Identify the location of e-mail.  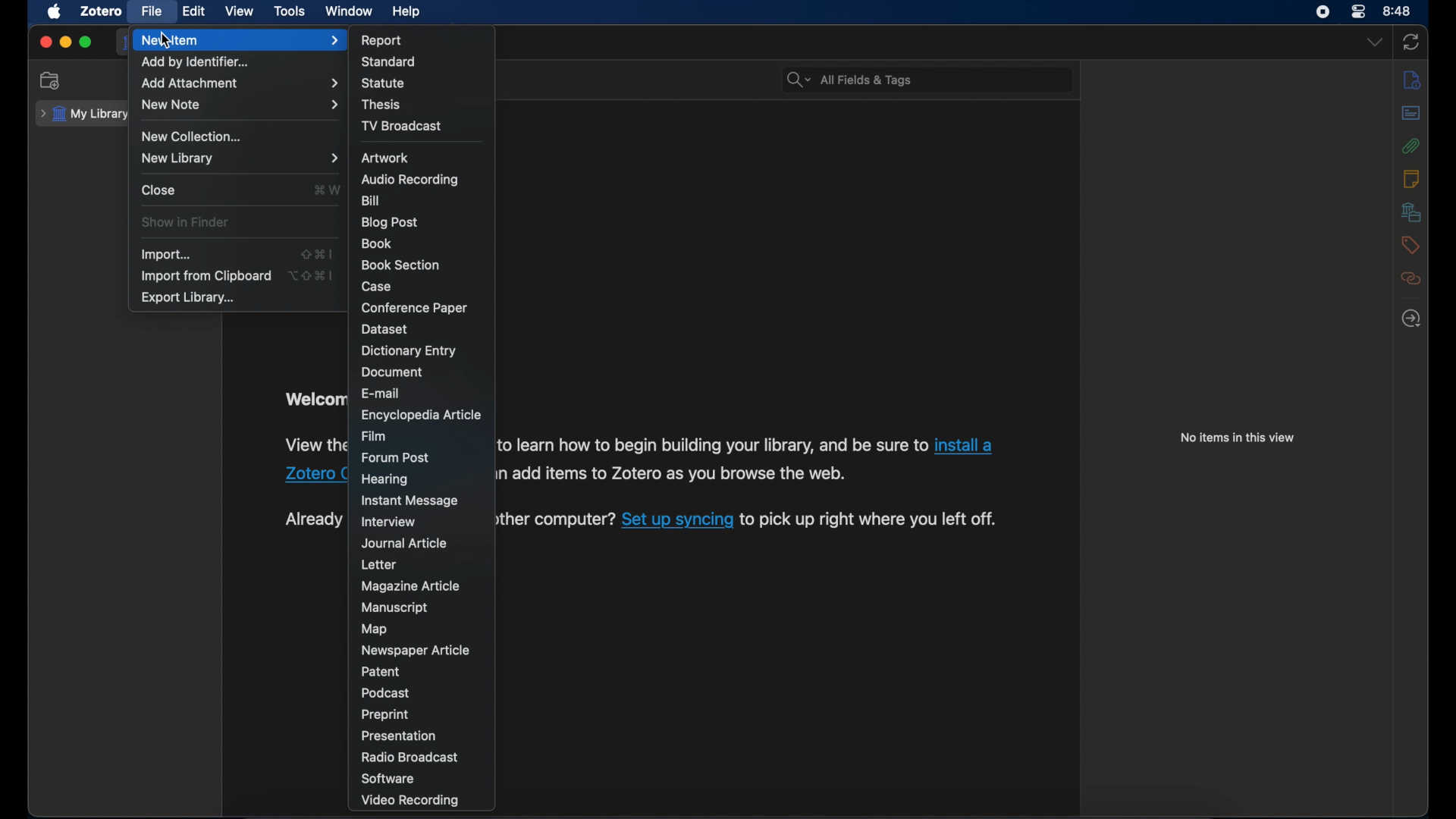
(381, 392).